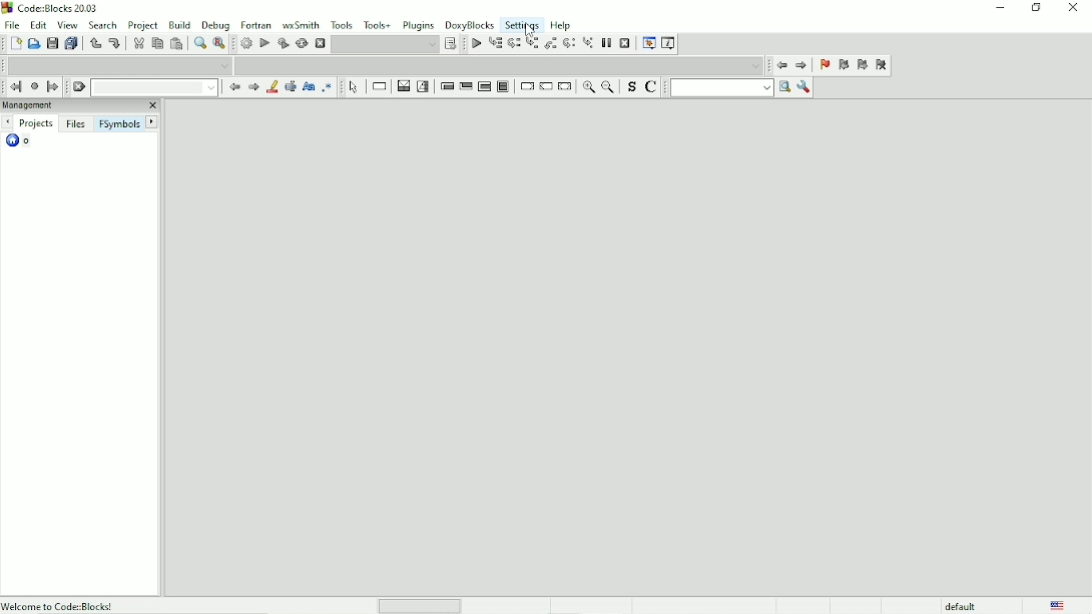 The width and height of the screenshot is (1092, 614). I want to click on Next, so click(151, 121).